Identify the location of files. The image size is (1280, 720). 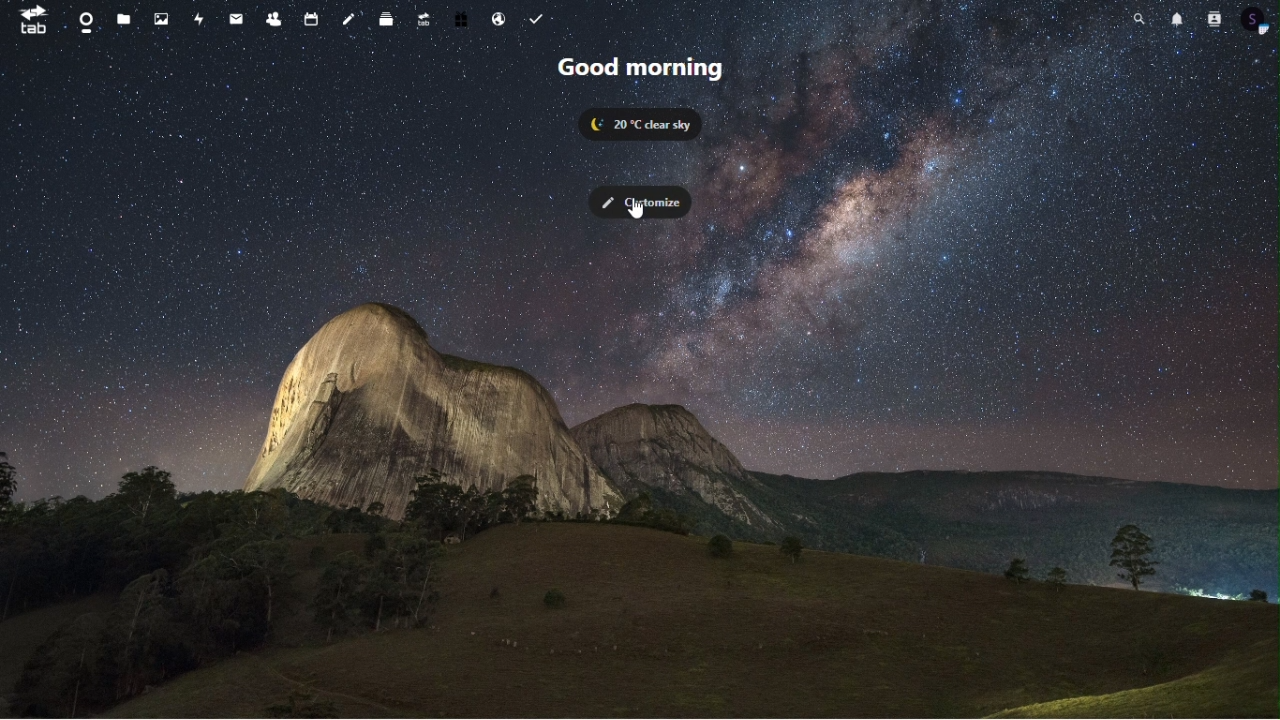
(123, 20).